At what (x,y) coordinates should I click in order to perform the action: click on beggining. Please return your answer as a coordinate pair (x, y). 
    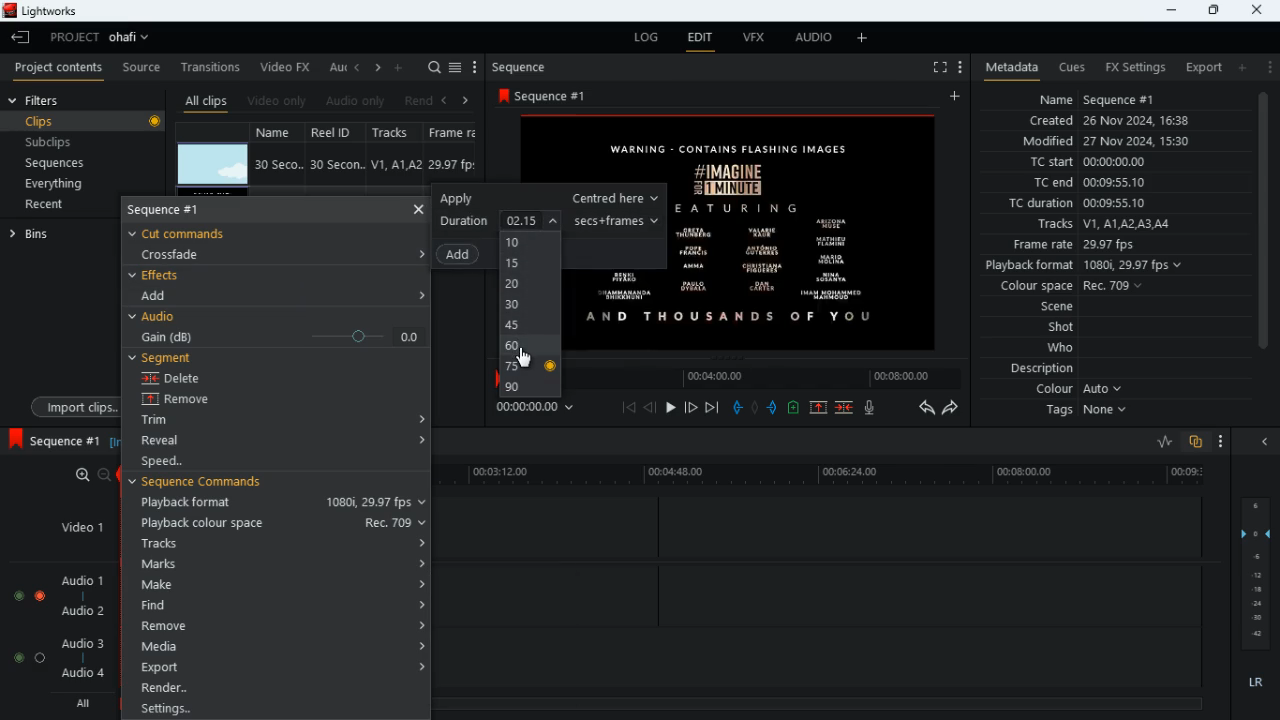
    Looking at the image, I should click on (629, 407).